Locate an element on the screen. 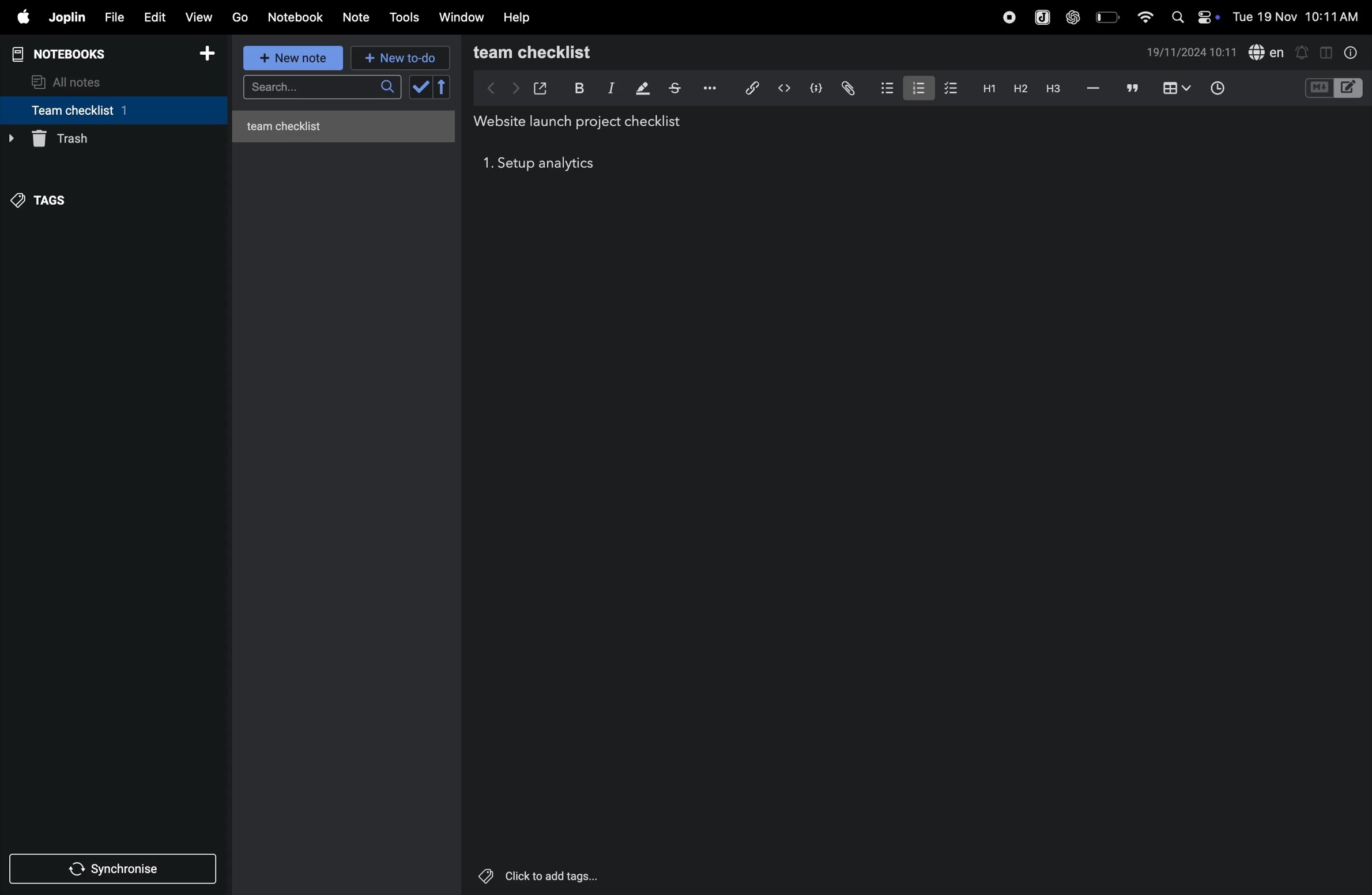  window is located at coordinates (461, 18).